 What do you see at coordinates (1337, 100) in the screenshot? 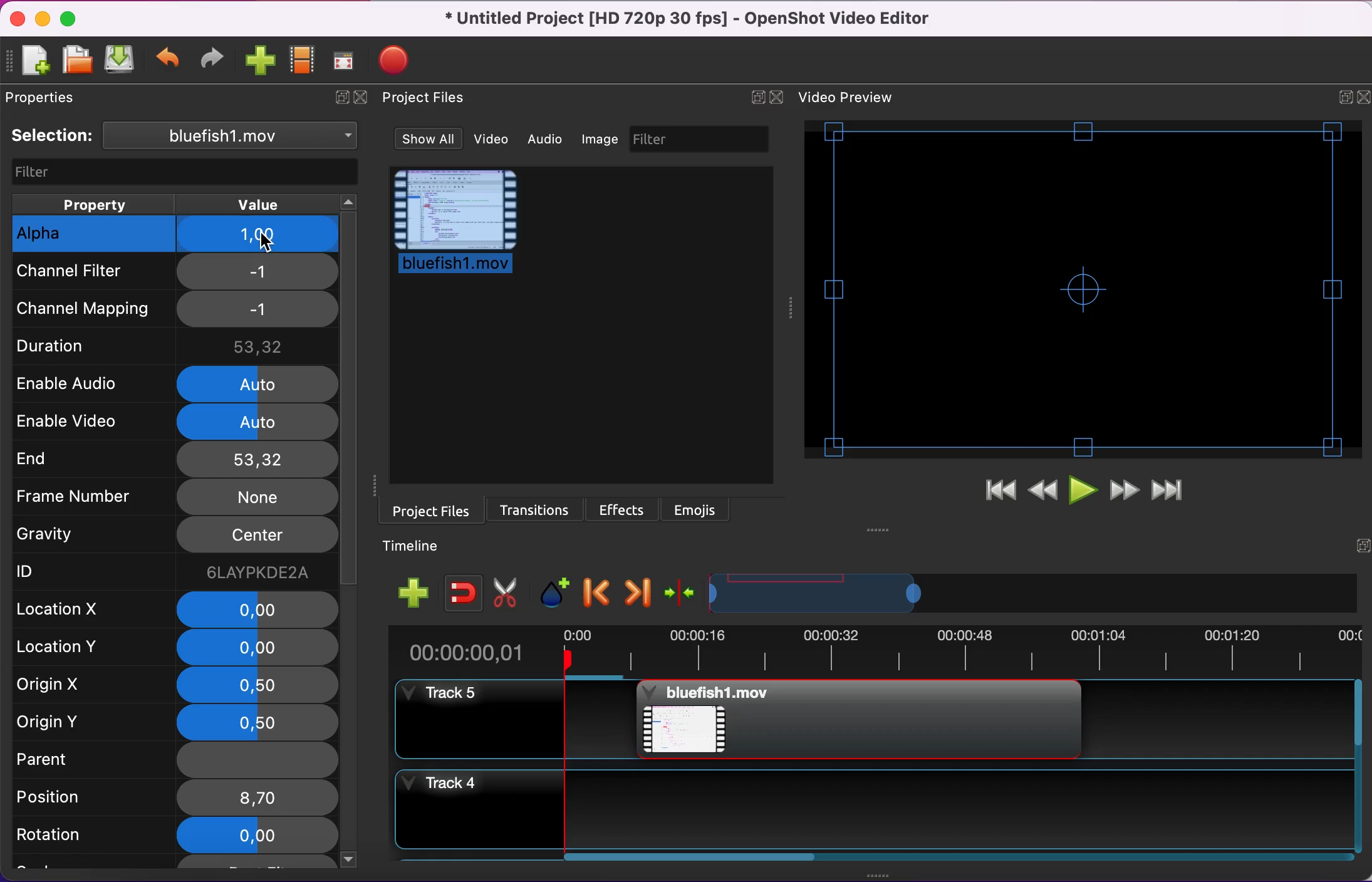
I see `expand/hide` at bounding box center [1337, 100].